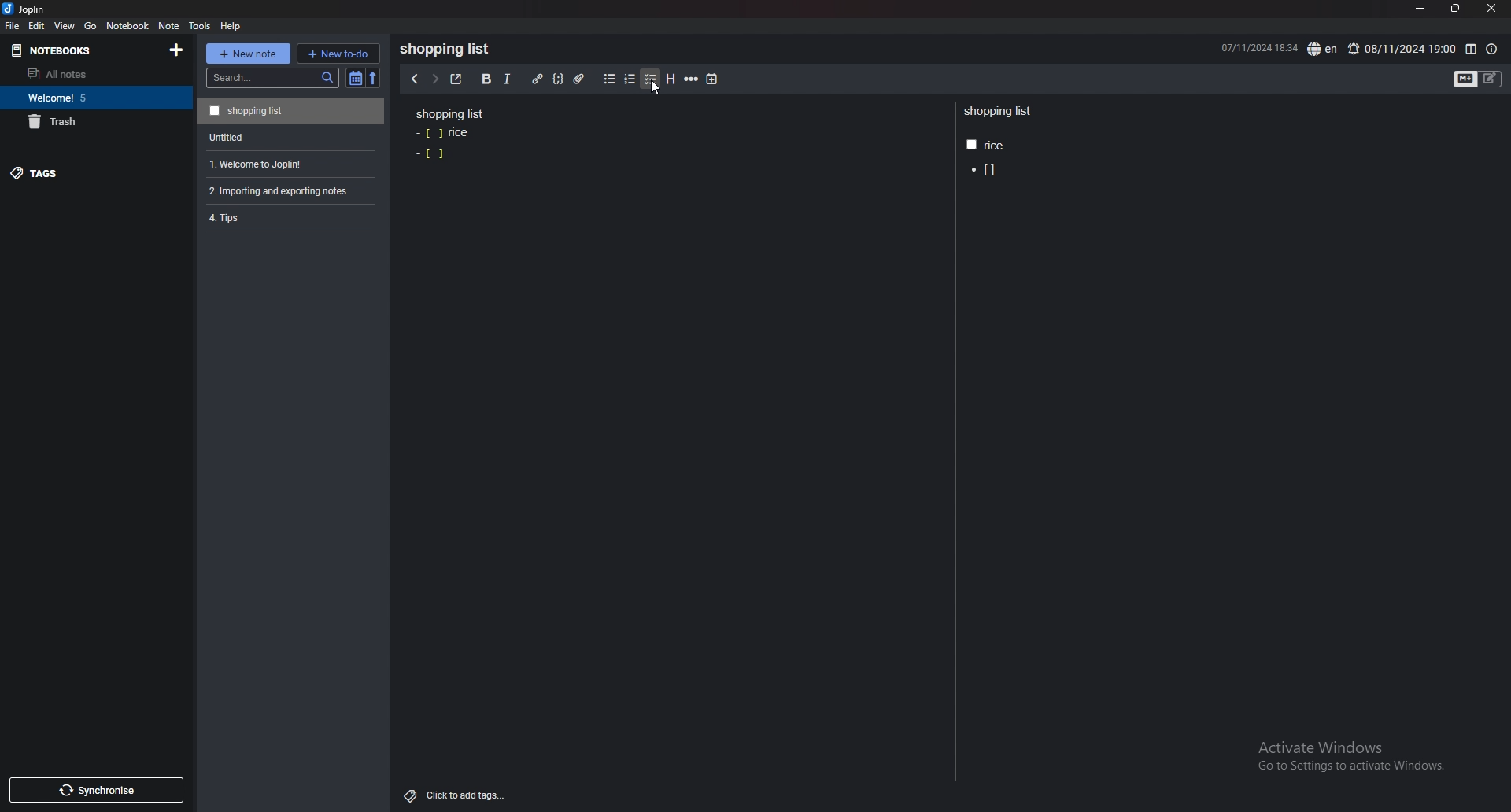  I want to click on 1. Welcome to Joplin!, so click(287, 162).